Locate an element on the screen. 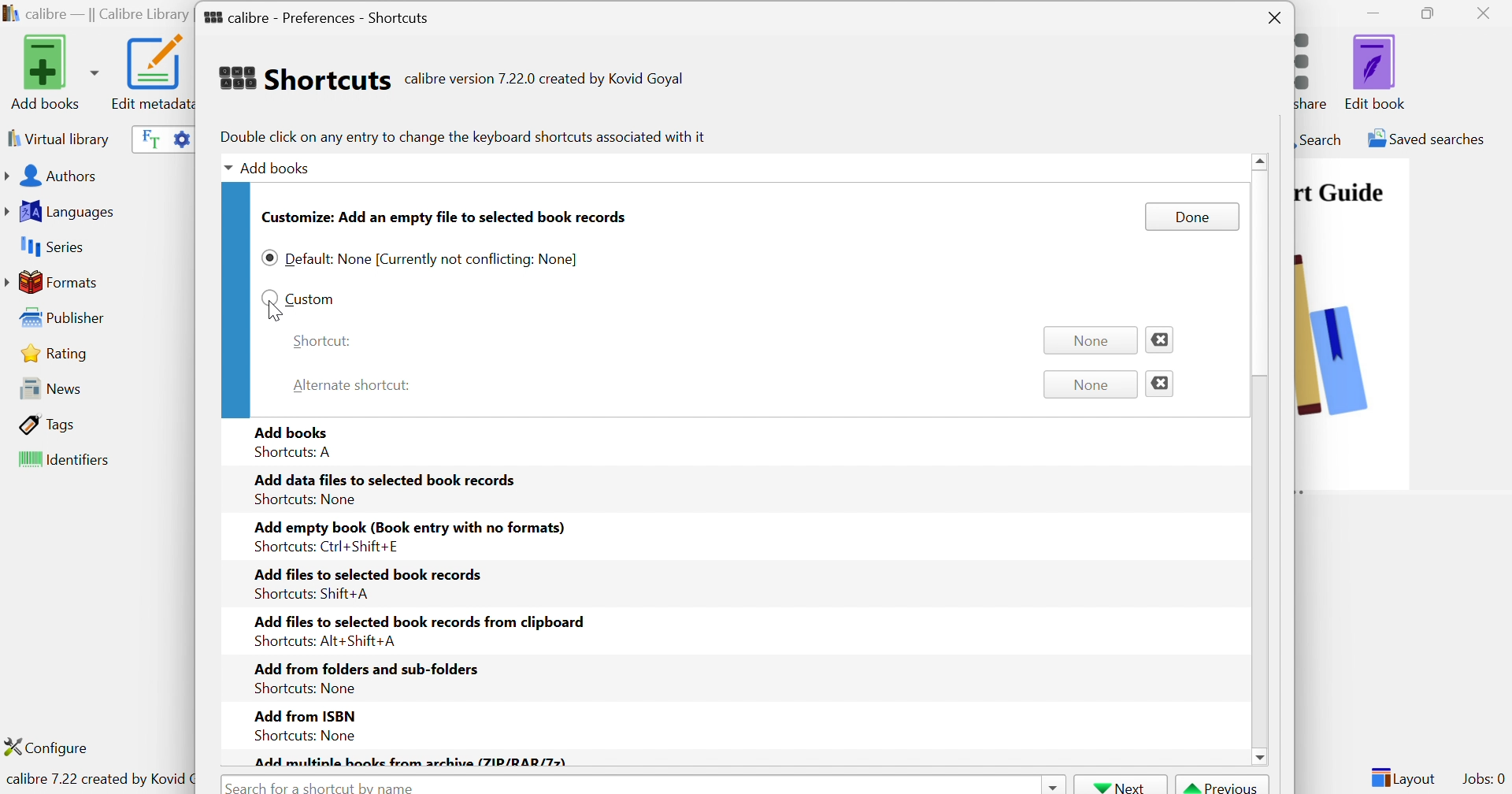 This screenshot has height=794, width=1512. Checkbox is located at coordinates (269, 297).